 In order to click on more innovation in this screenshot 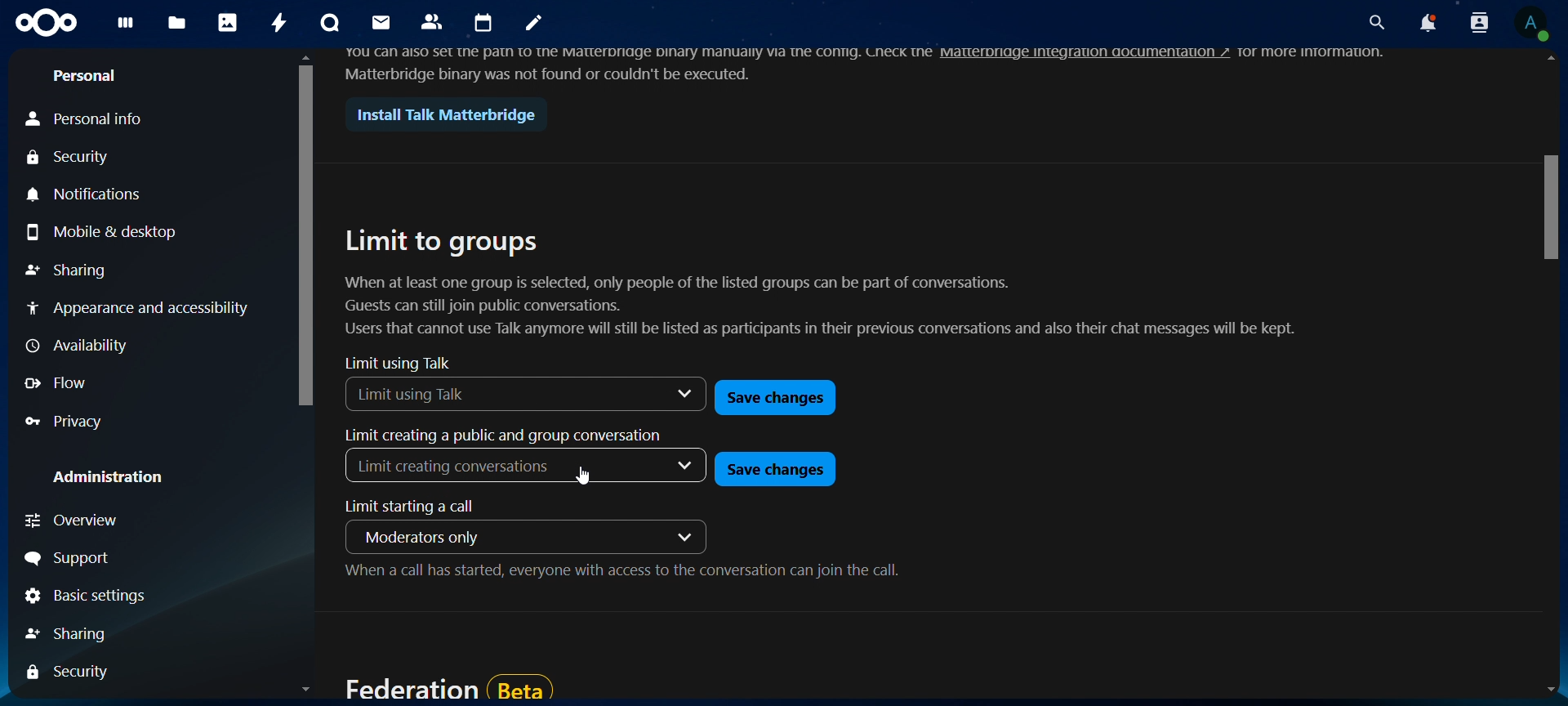, I will do `click(1329, 52)`.